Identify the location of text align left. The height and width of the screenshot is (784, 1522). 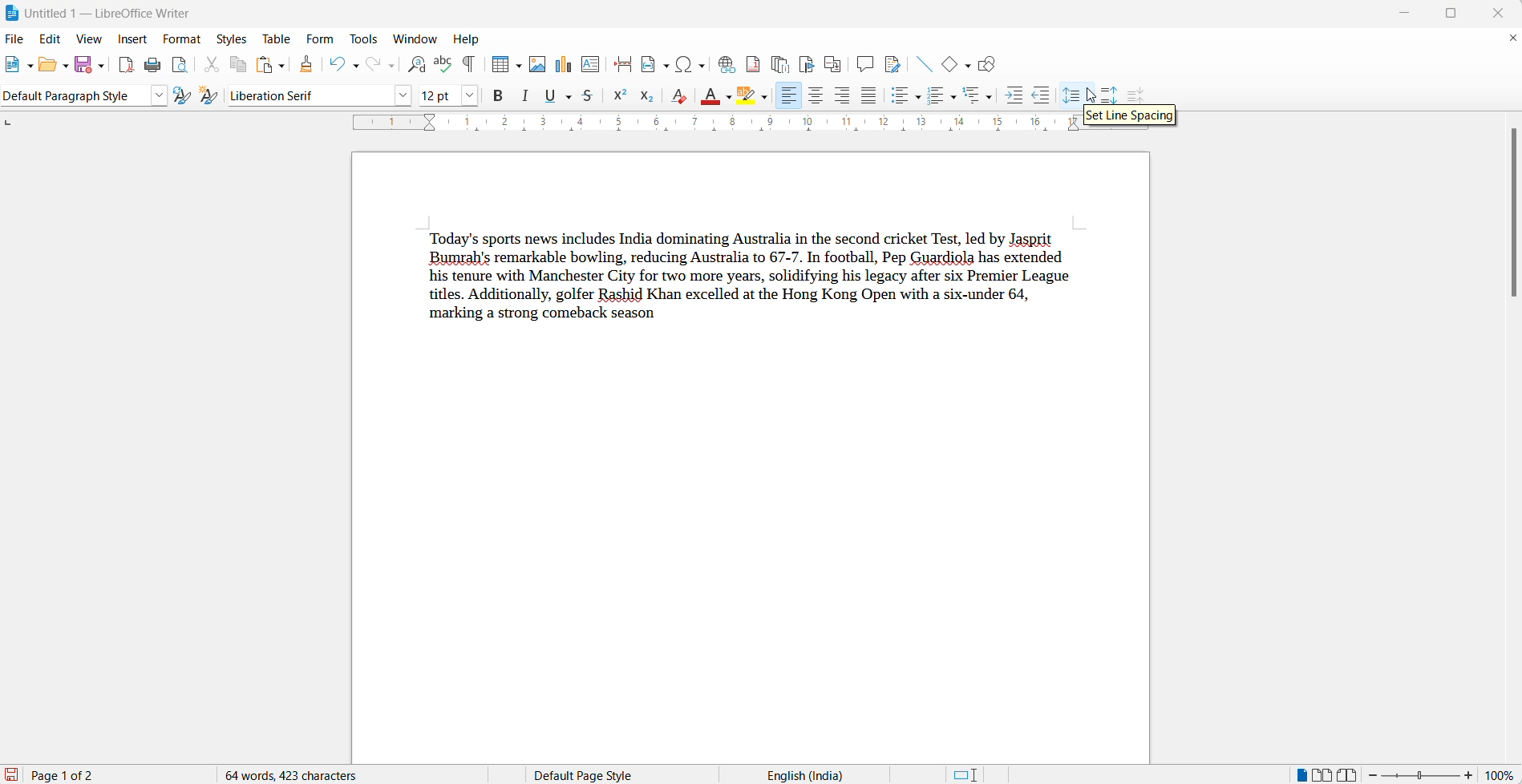
(790, 97).